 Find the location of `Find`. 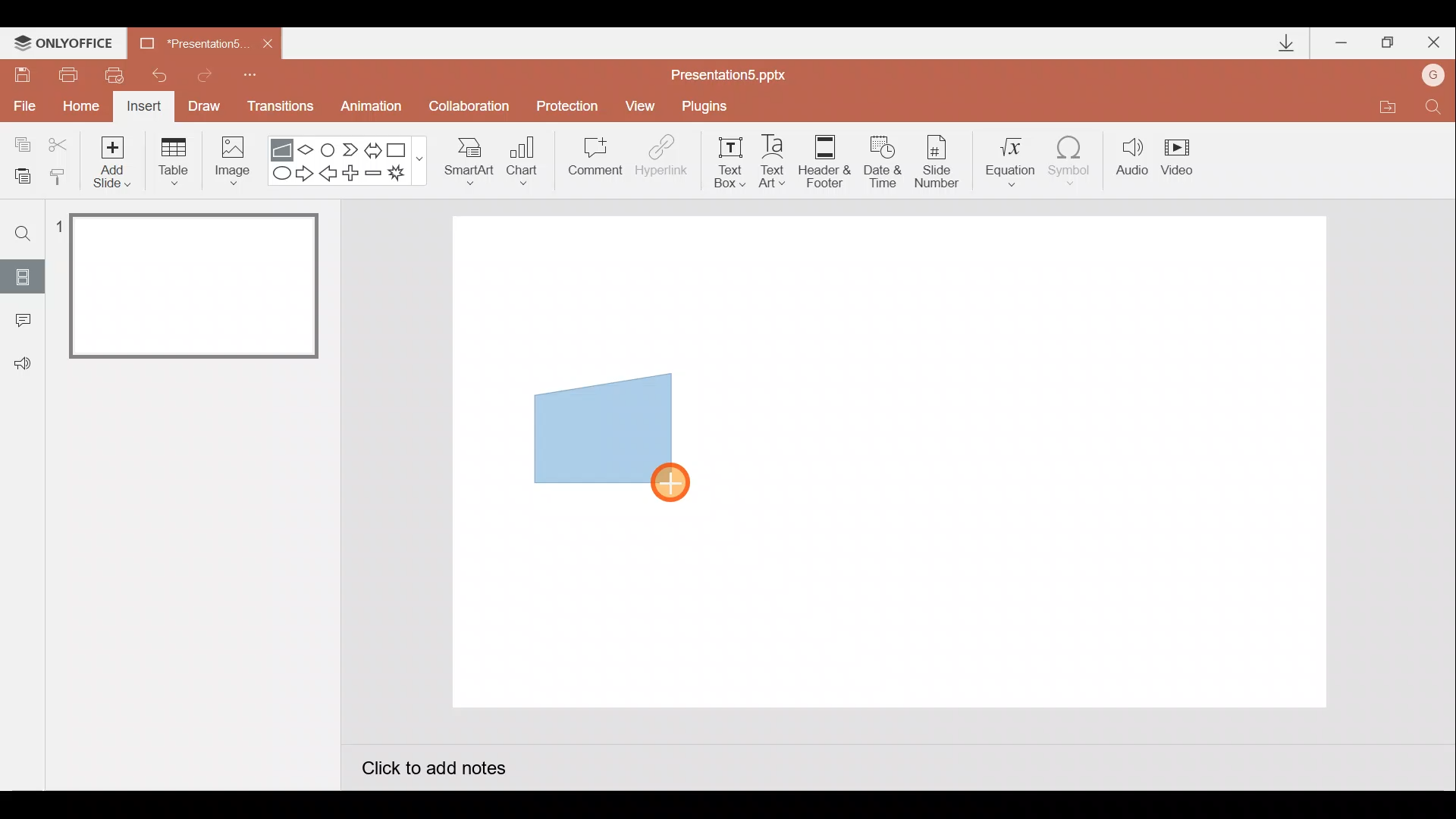

Find is located at coordinates (24, 233).